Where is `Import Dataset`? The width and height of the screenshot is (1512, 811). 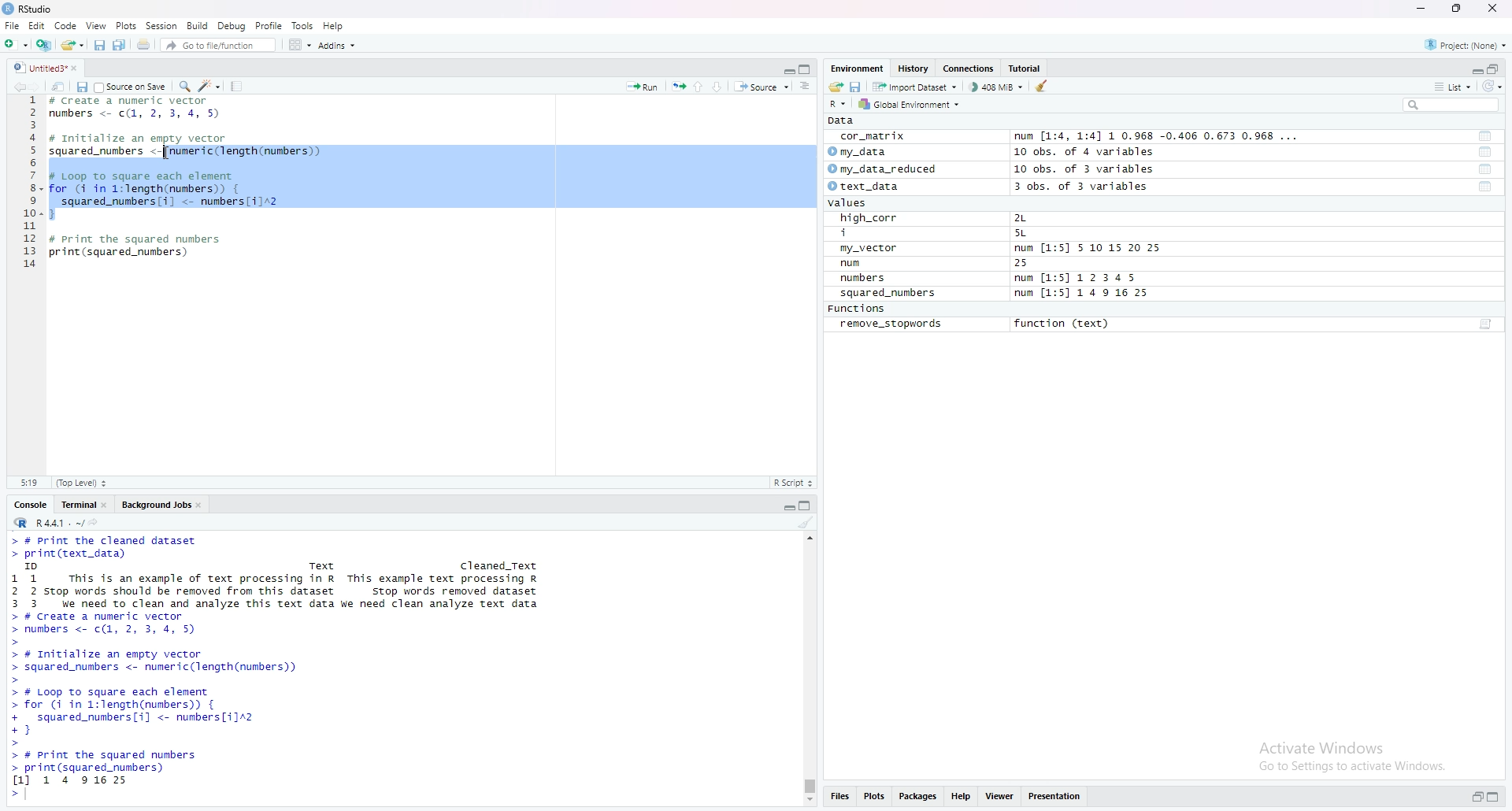
Import Dataset is located at coordinates (914, 86).